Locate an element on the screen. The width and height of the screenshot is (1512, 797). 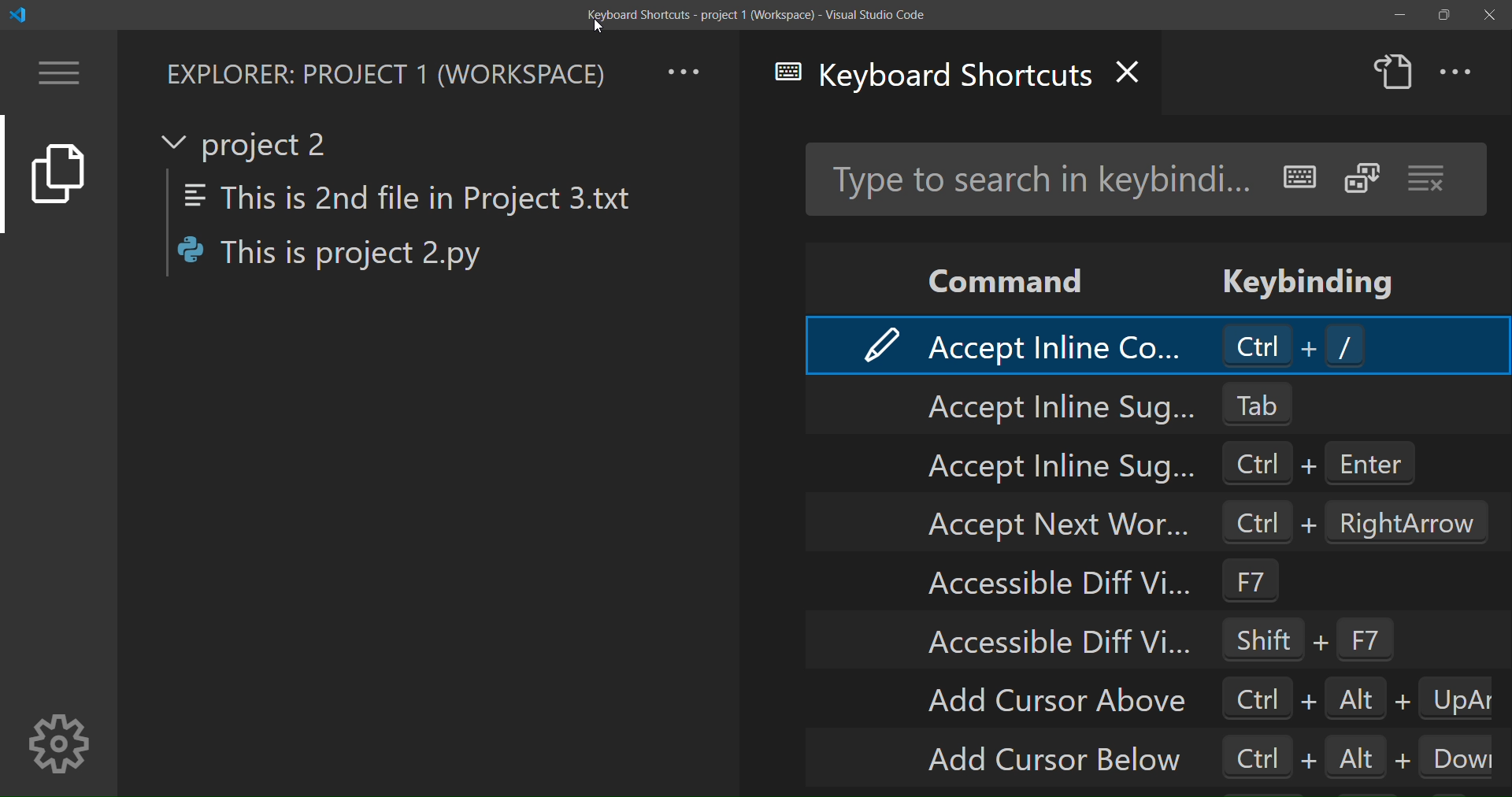
more actions is located at coordinates (1460, 72).